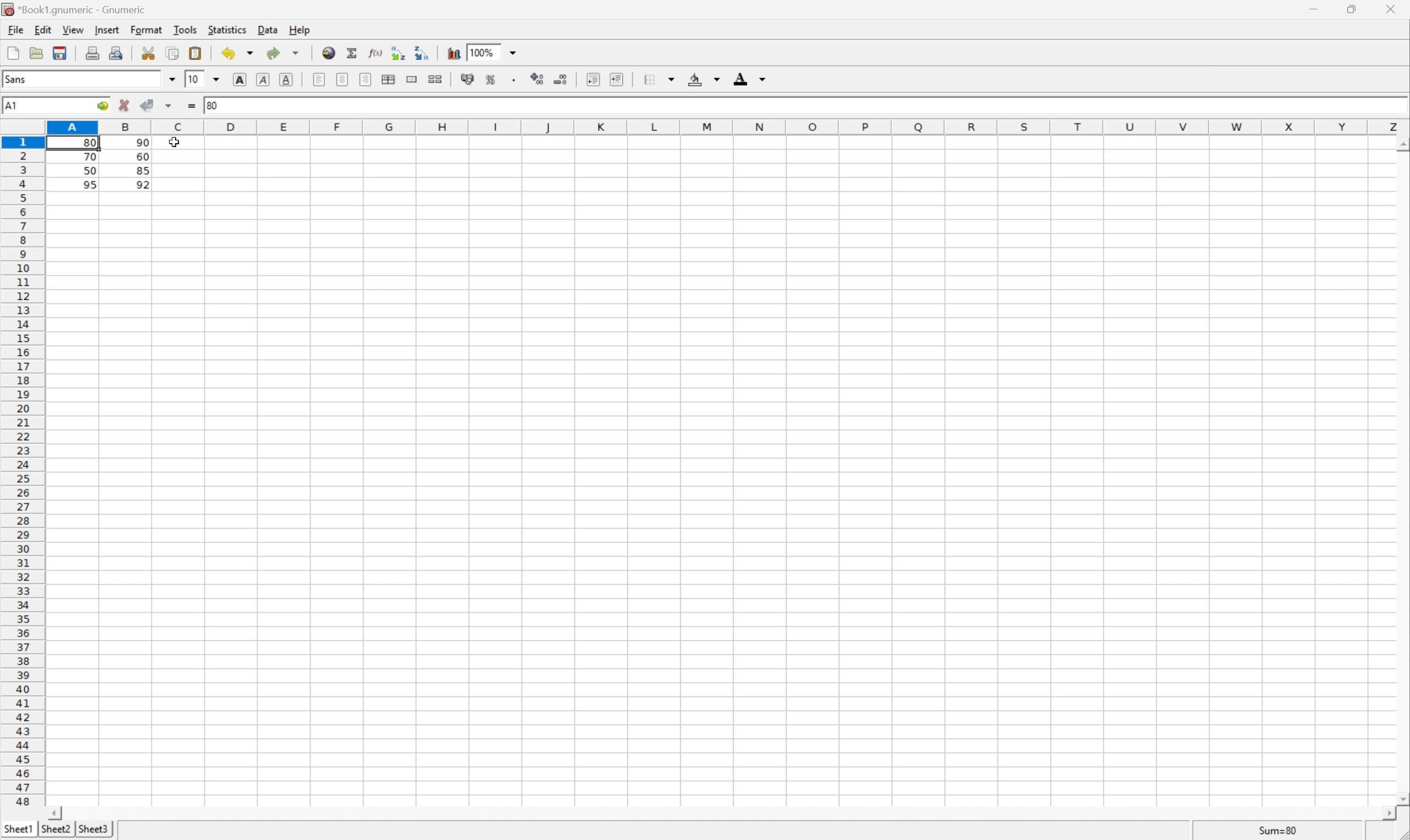 The width and height of the screenshot is (1410, 840). I want to click on Increase indent, and align the contents to the left, so click(593, 78).